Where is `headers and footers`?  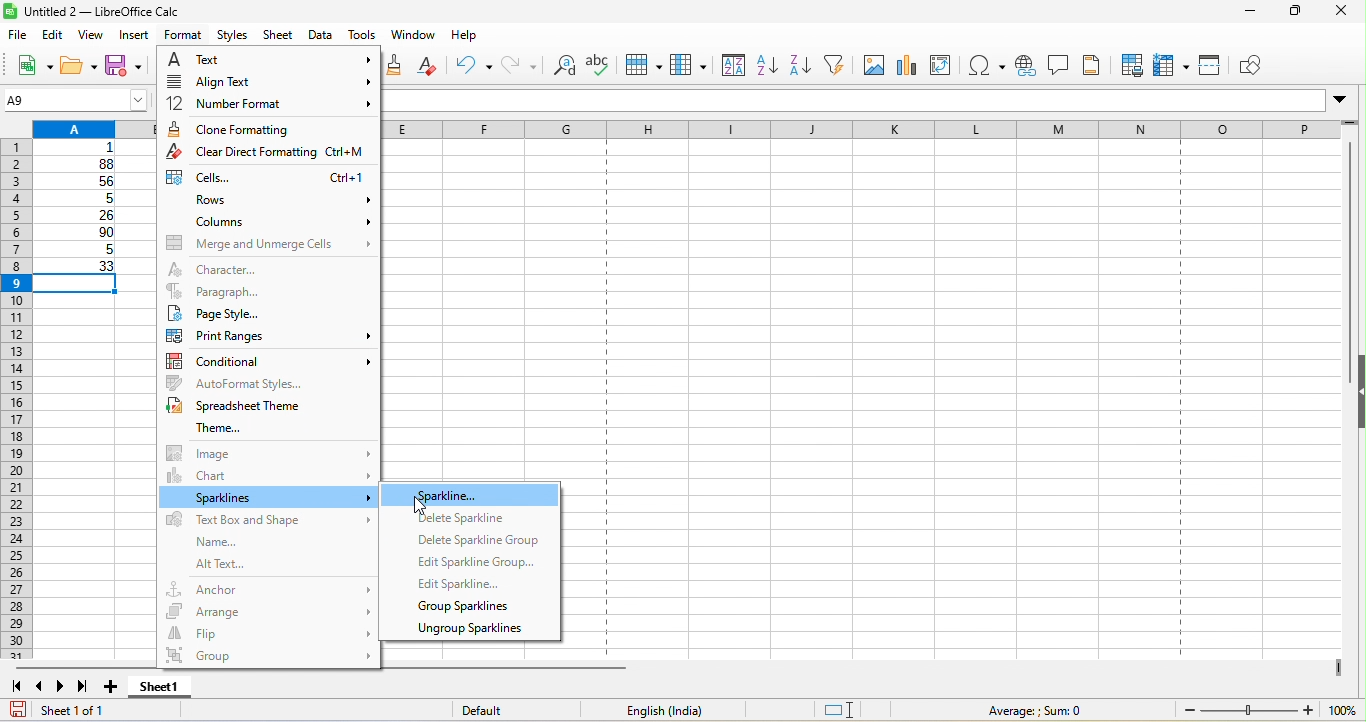 headers and footers is located at coordinates (1094, 65).